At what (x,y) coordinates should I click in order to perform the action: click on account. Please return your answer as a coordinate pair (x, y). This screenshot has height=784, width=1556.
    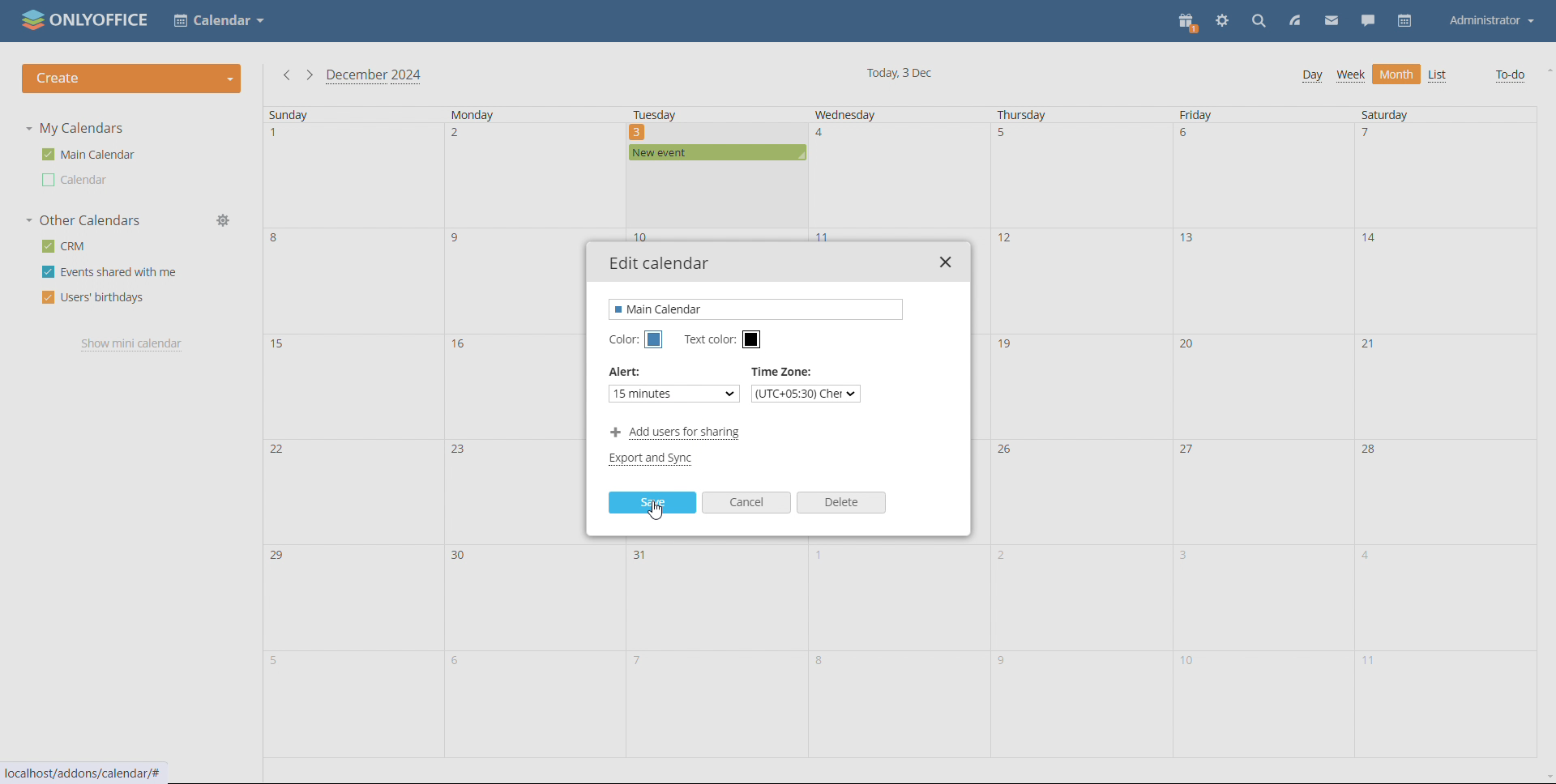
    Looking at the image, I should click on (1491, 21).